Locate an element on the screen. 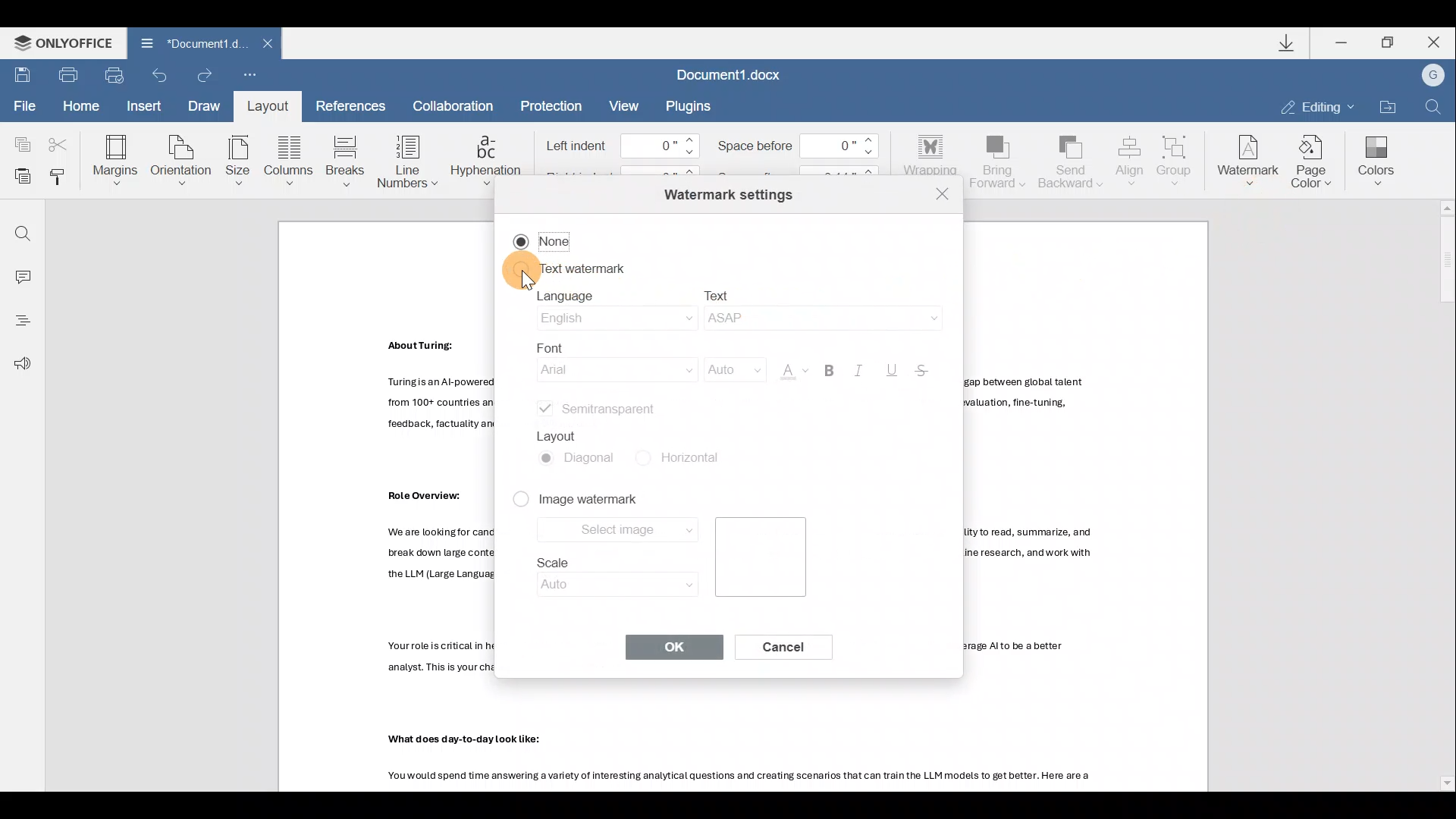 The image size is (1456, 819). Font color is located at coordinates (790, 369).